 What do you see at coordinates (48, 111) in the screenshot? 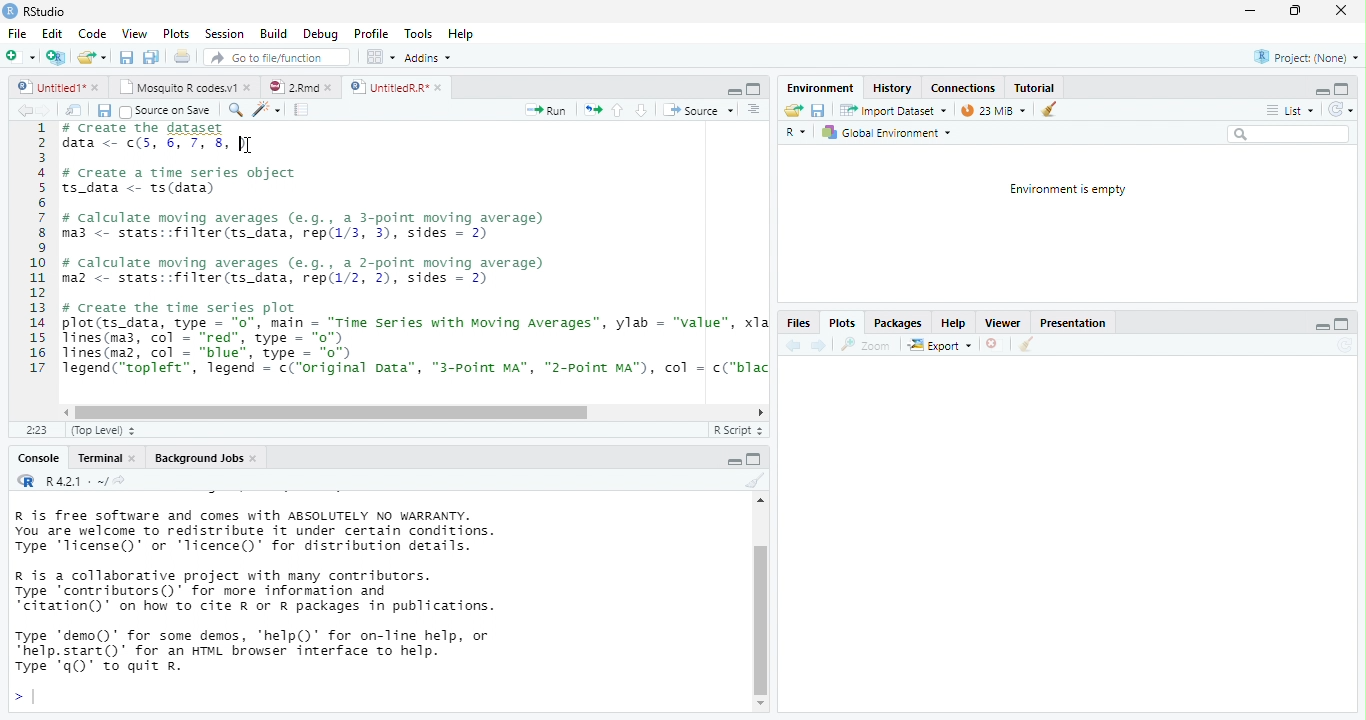
I see `next` at bounding box center [48, 111].